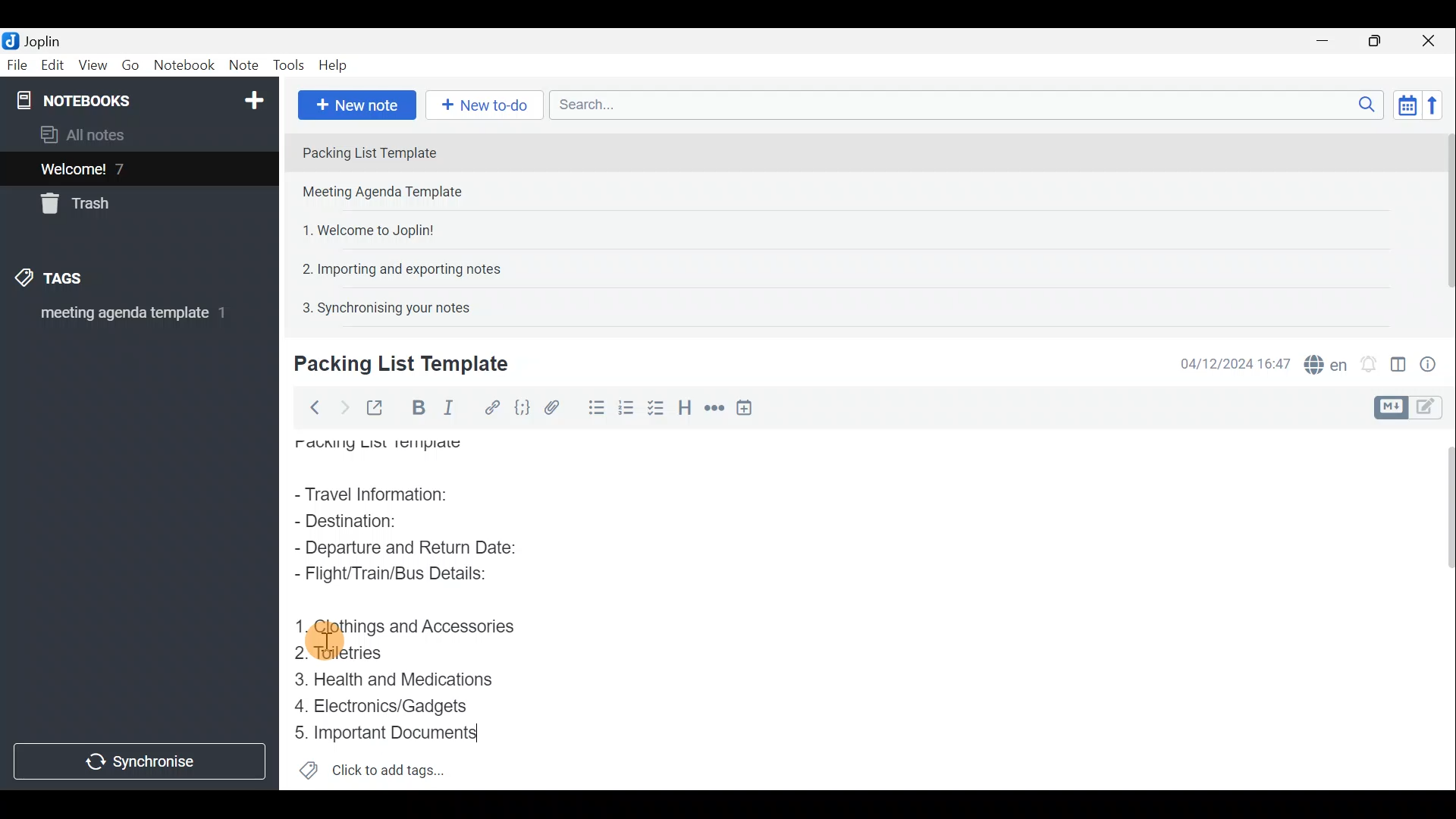  I want to click on Clothings and Accessories, so click(408, 629).